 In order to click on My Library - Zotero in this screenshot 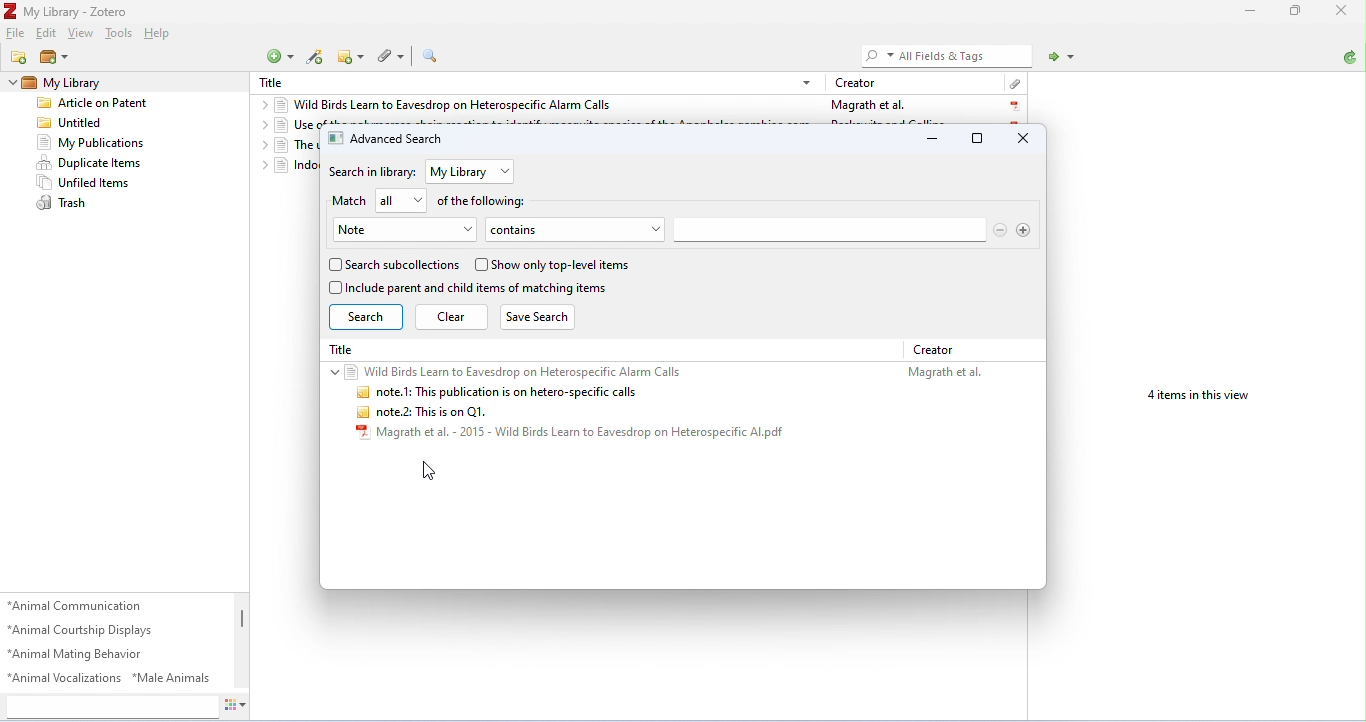, I will do `click(67, 12)`.